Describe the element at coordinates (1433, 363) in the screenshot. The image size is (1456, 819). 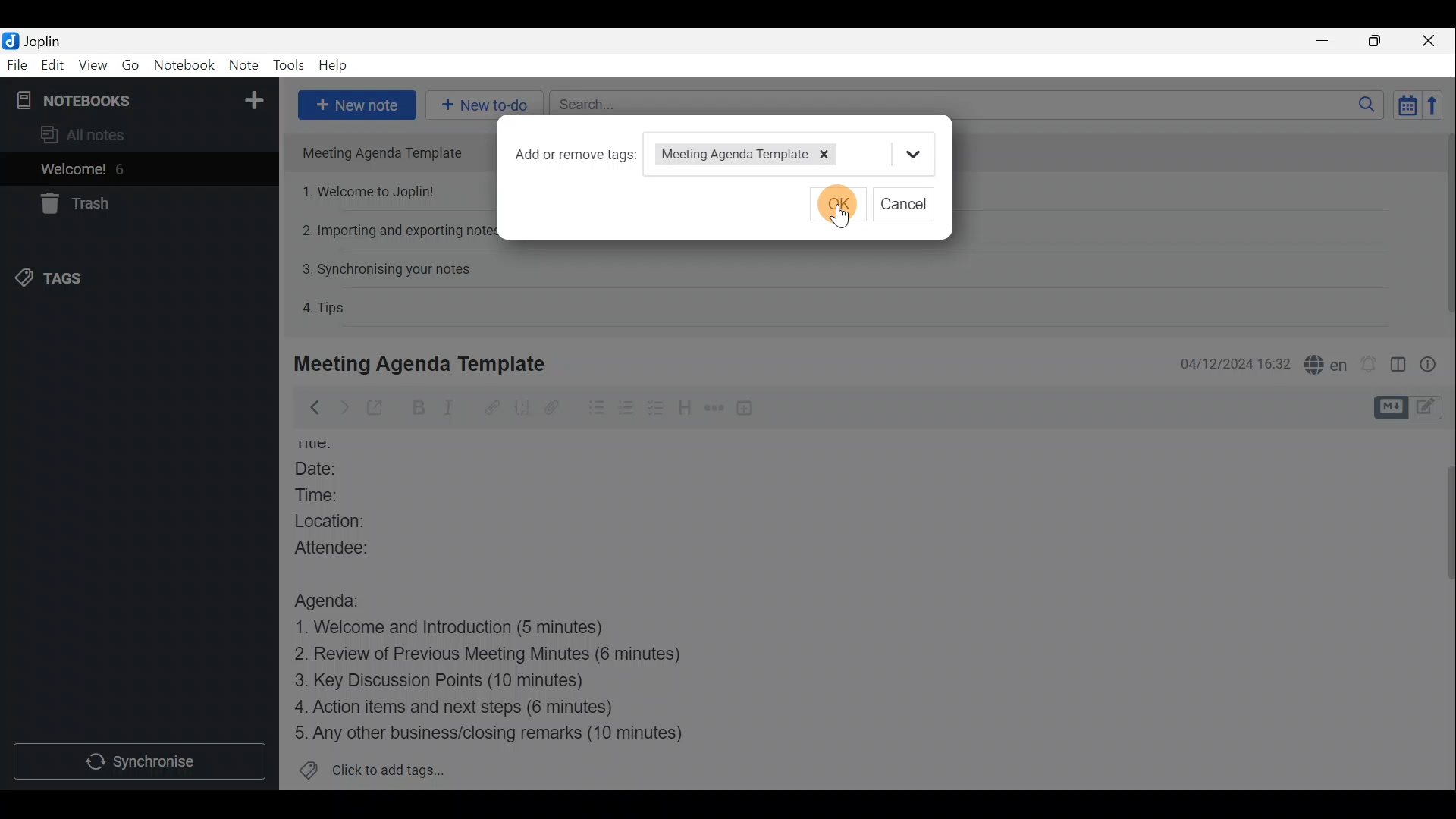
I see `Note properties` at that location.